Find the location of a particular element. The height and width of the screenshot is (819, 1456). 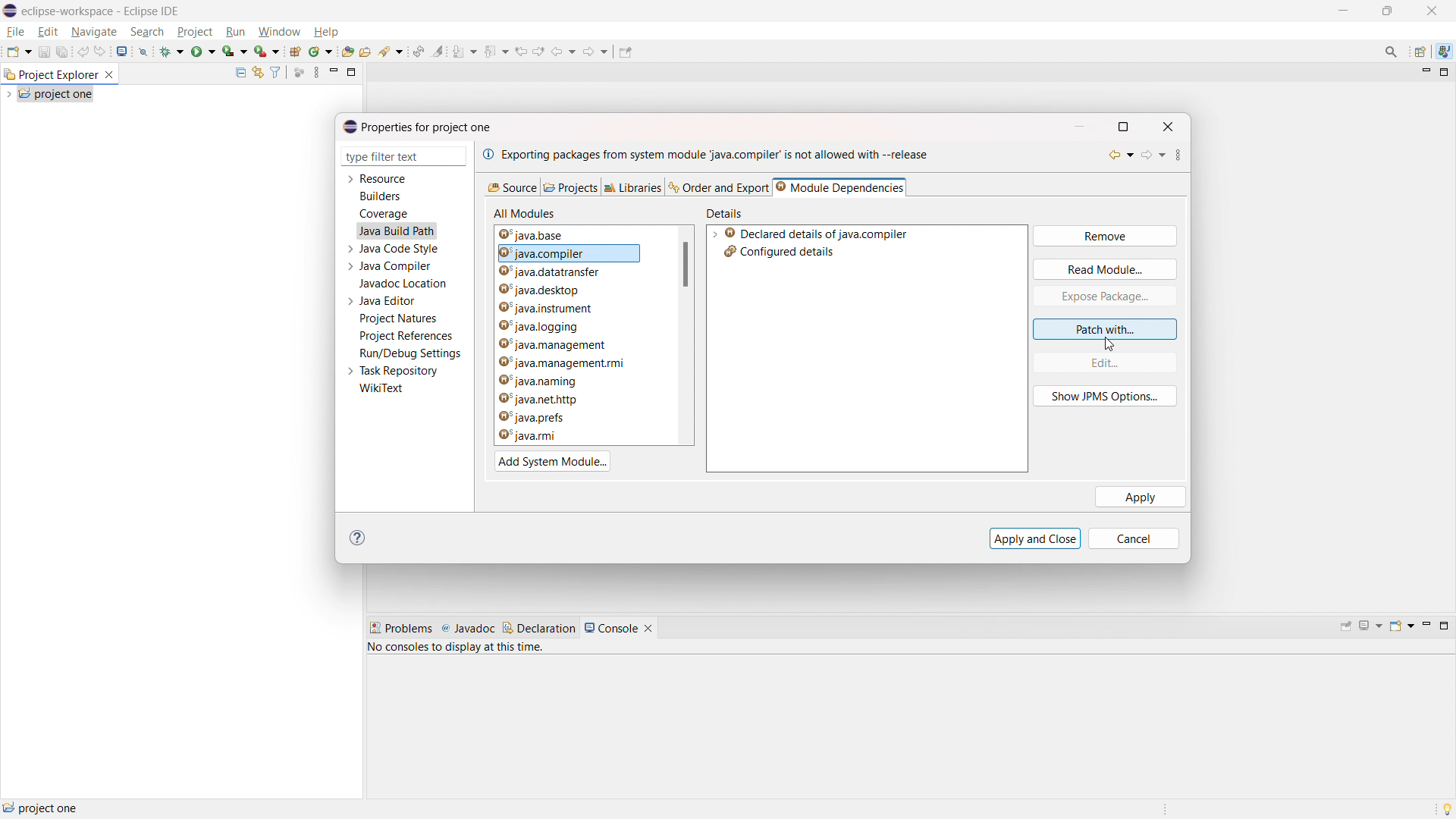

module dependencies is located at coordinates (839, 187).